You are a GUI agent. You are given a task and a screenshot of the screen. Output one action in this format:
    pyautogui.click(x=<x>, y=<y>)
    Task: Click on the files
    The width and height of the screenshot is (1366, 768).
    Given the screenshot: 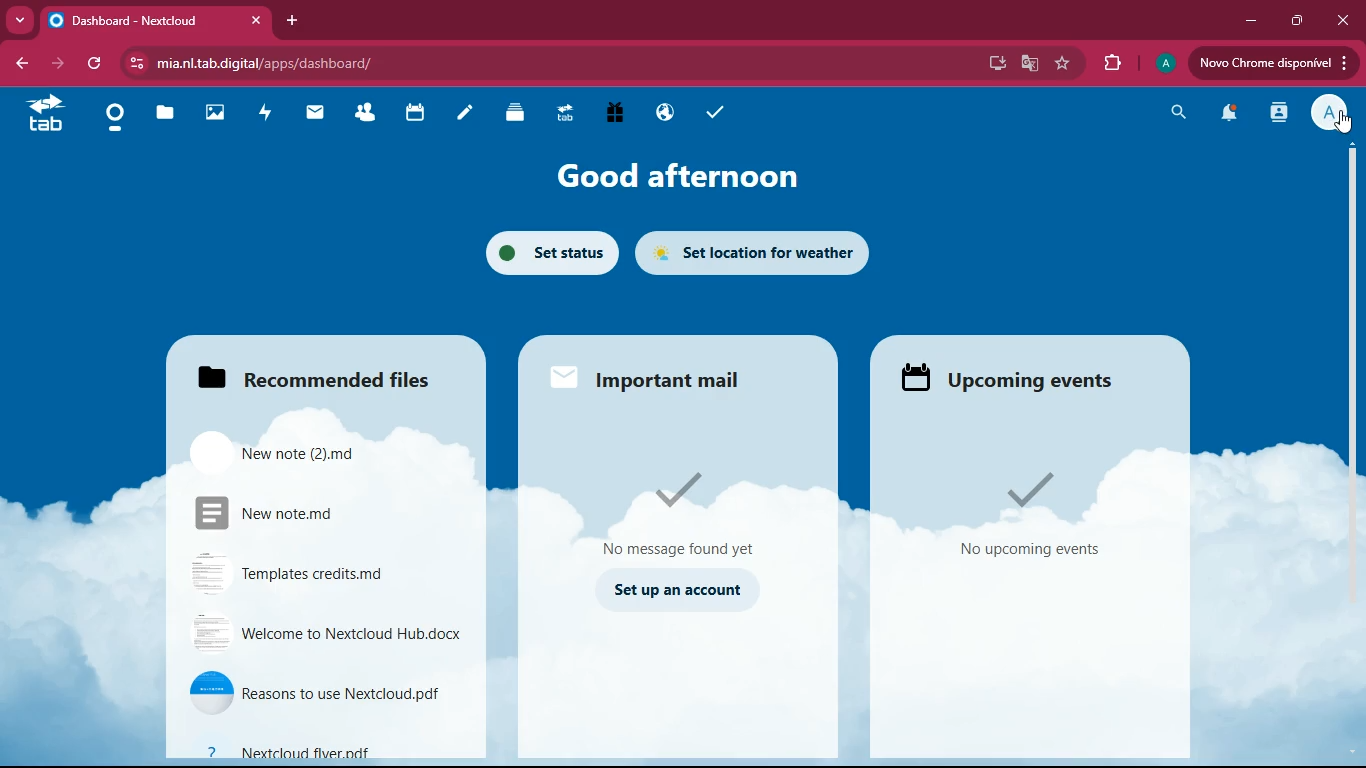 What is the action you would take?
    pyautogui.click(x=316, y=453)
    